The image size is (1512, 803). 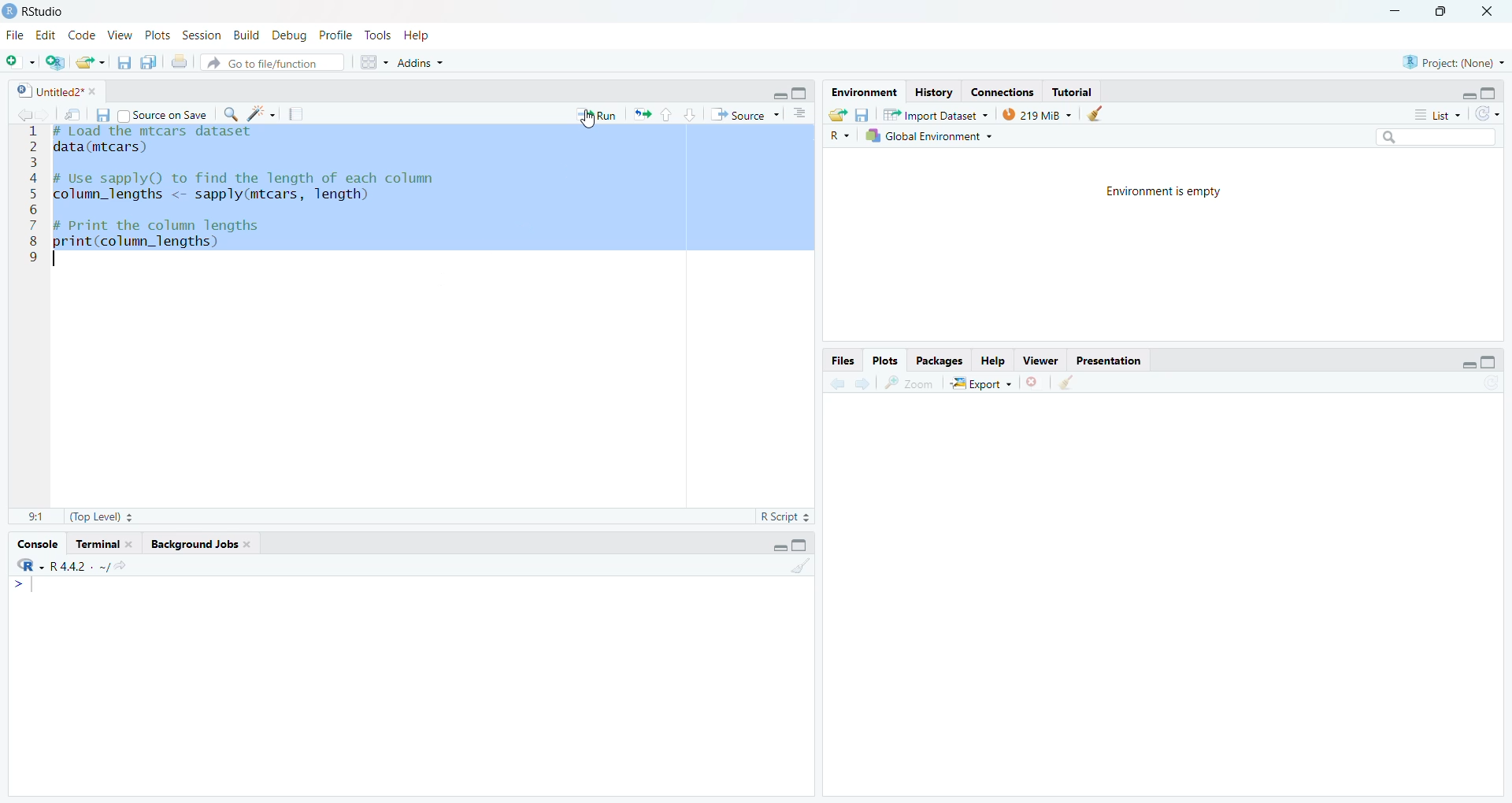 What do you see at coordinates (202, 35) in the screenshot?
I see `Session` at bounding box center [202, 35].